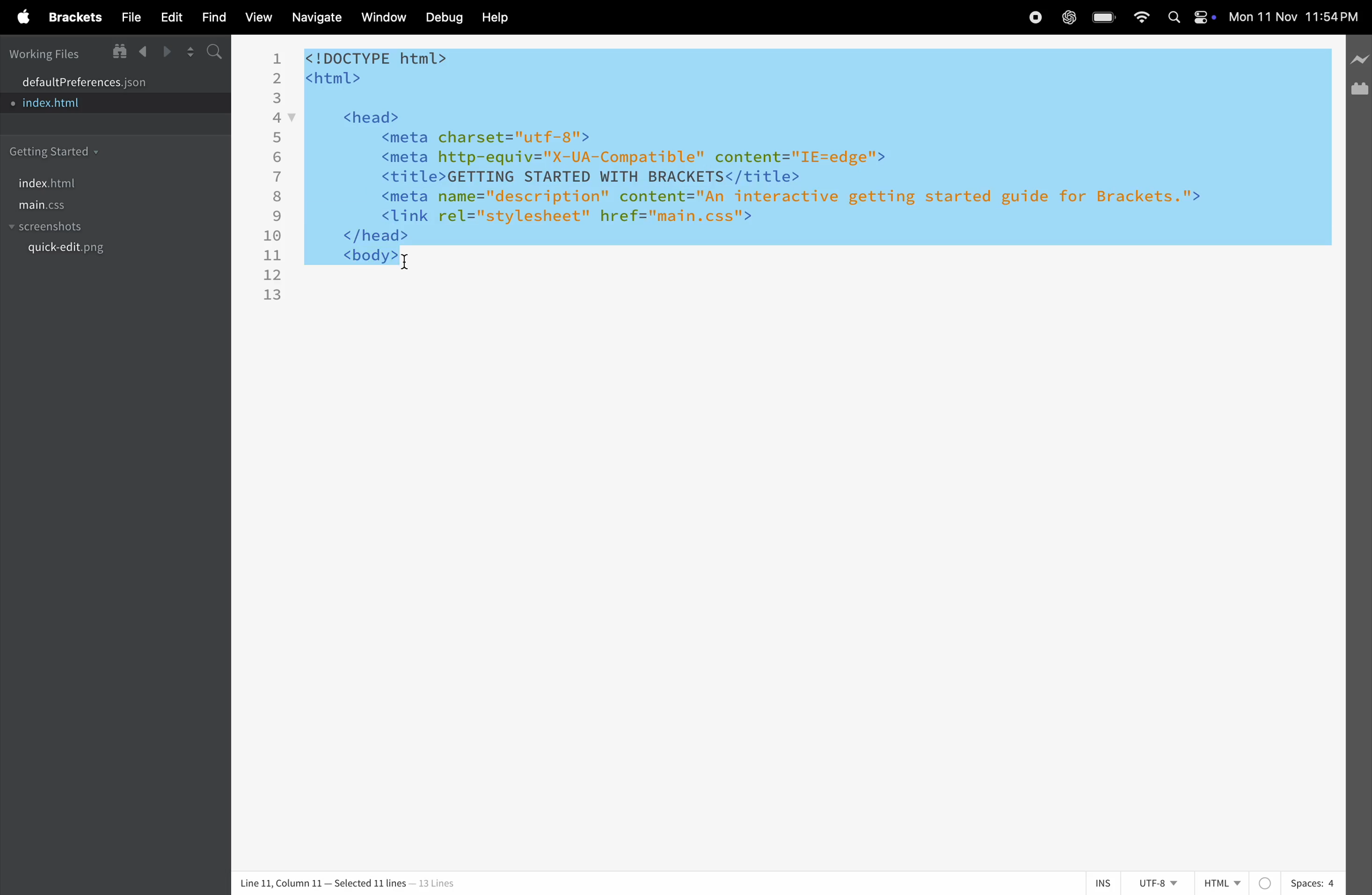  Describe the element at coordinates (1143, 18) in the screenshot. I see `wifi` at that location.